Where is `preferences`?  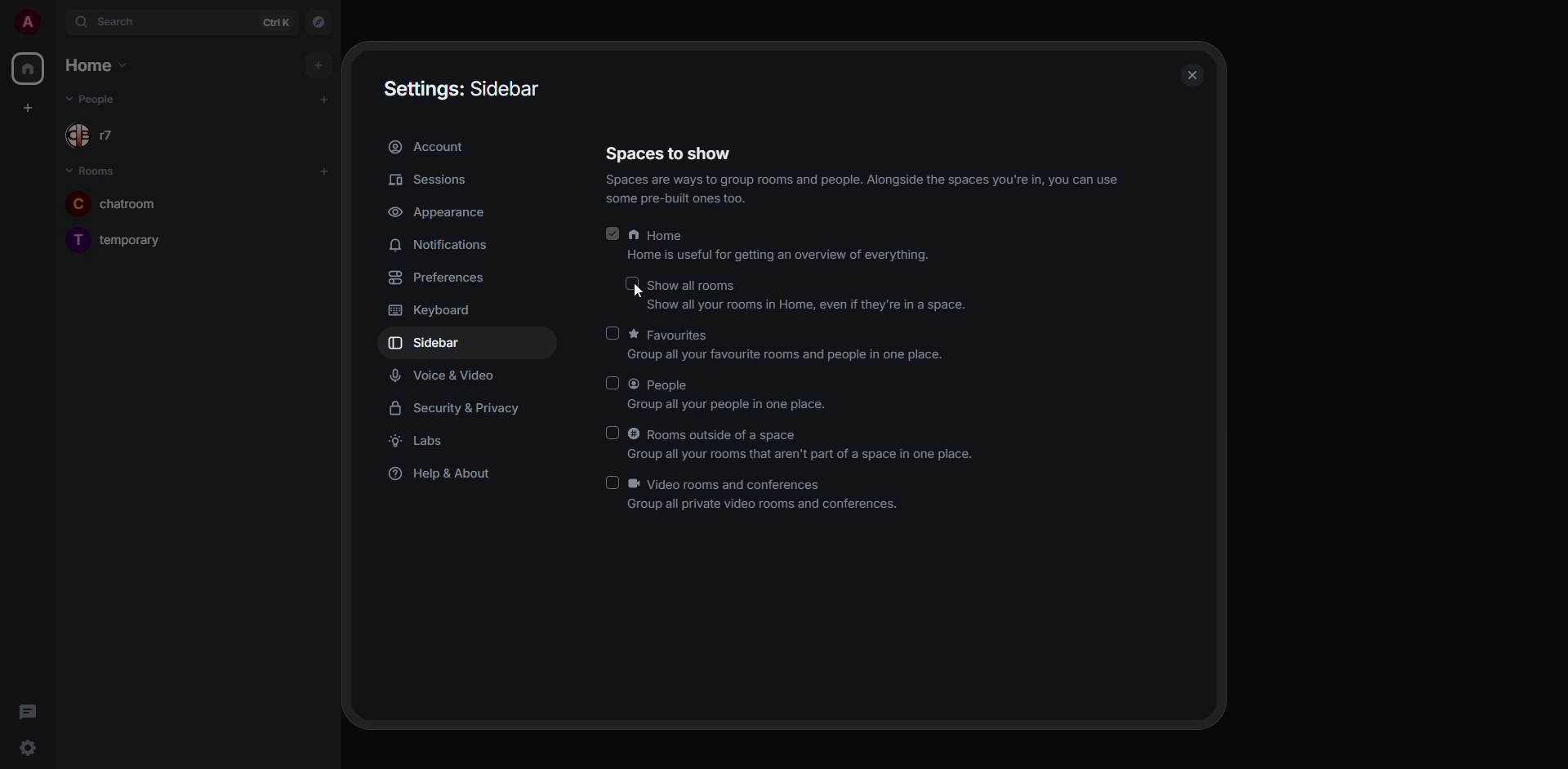 preferences is located at coordinates (437, 278).